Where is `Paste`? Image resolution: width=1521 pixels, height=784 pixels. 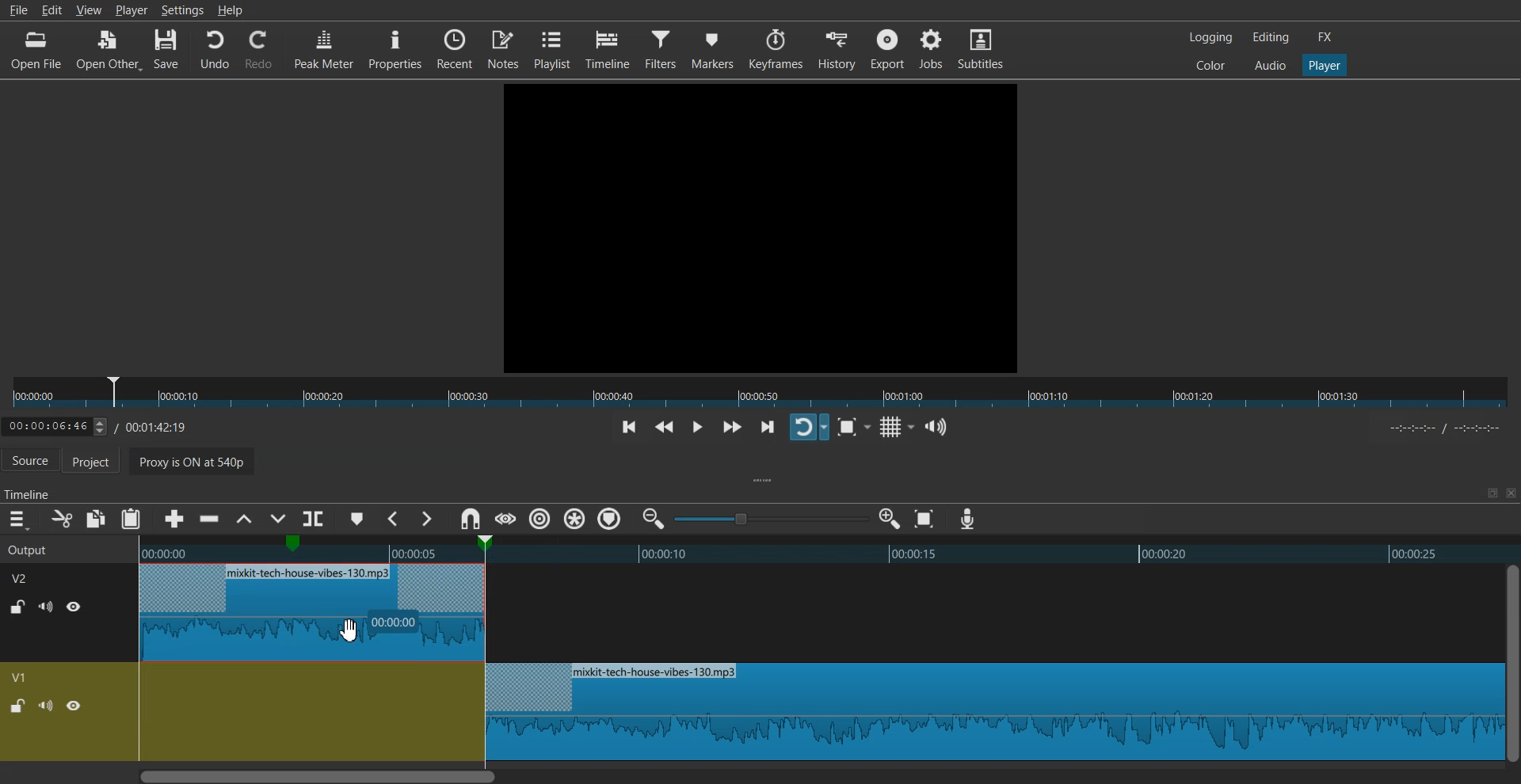
Paste is located at coordinates (131, 519).